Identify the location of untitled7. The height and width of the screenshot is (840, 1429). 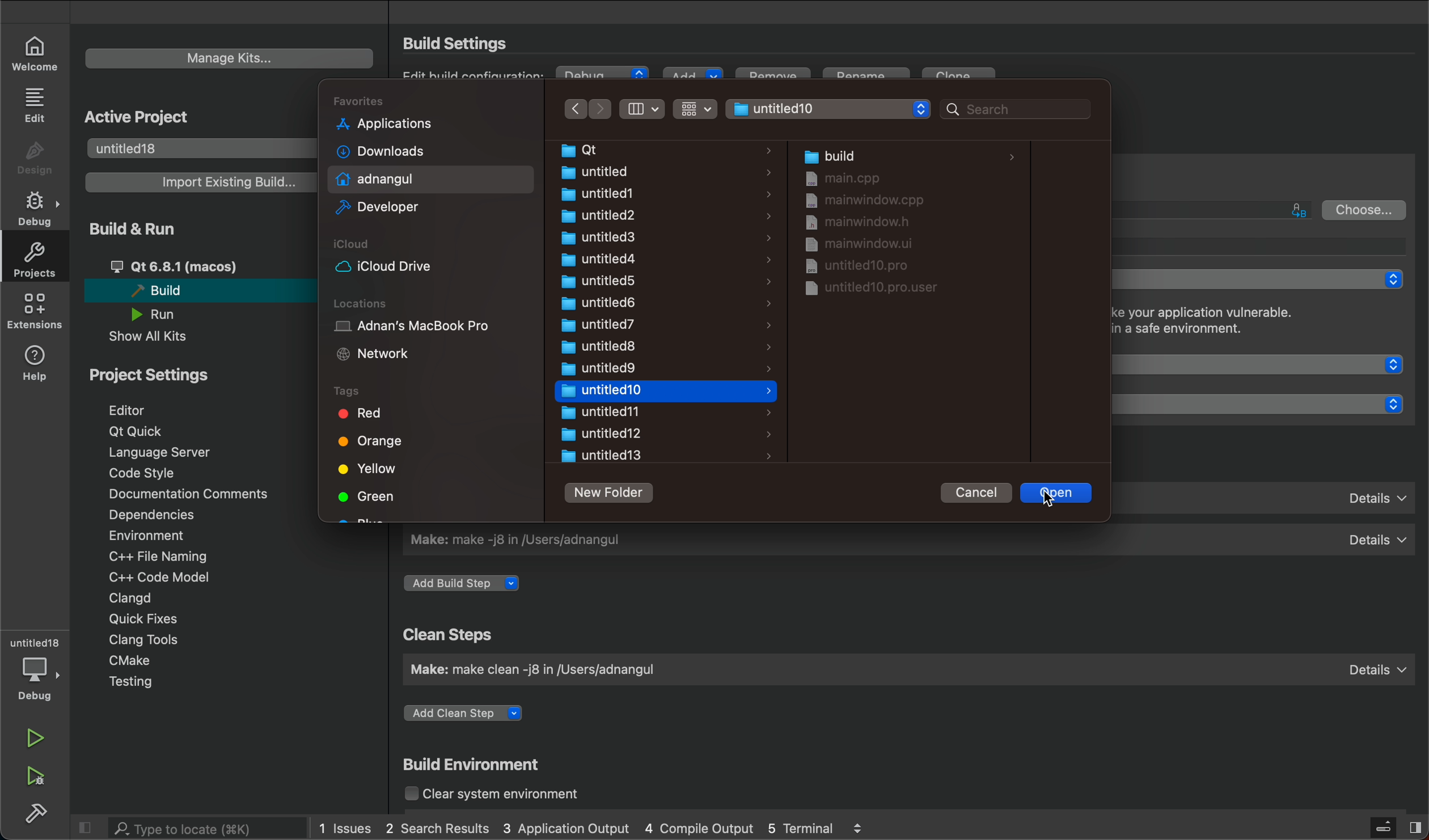
(654, 325).